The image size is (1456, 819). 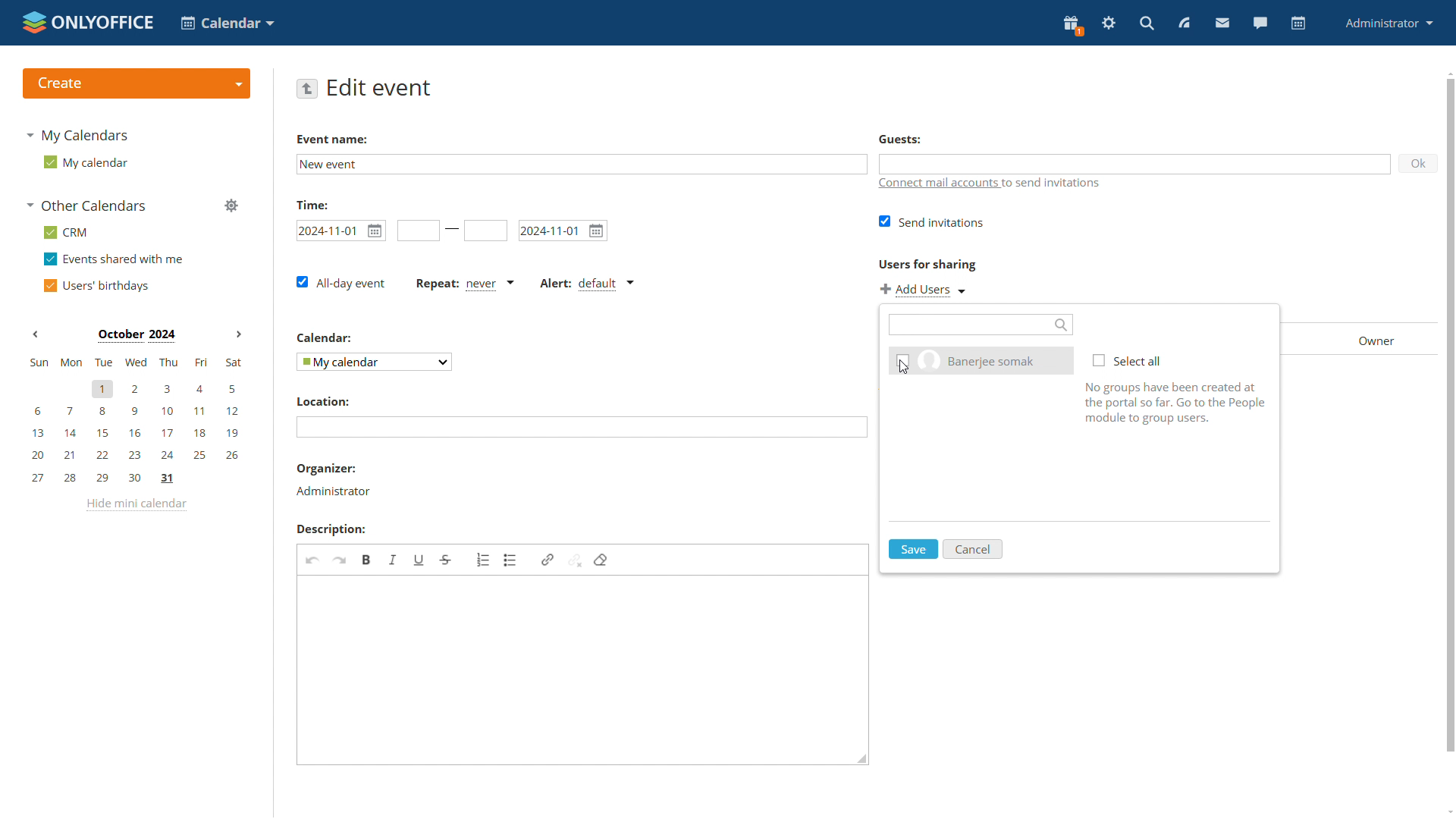 I want to click on organizer, so click(x=334, y=491).